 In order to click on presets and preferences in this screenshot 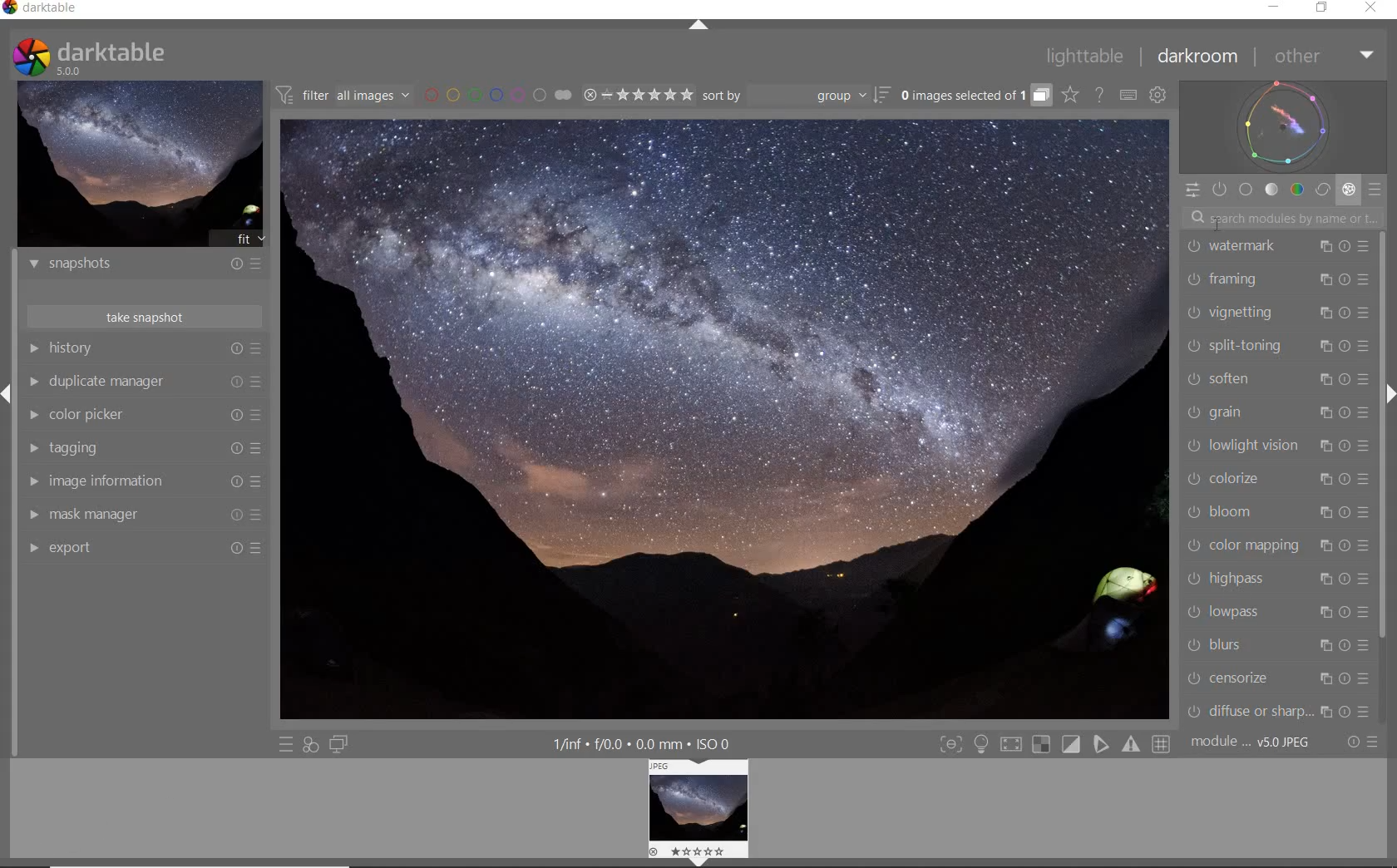, I will do `click(257, 263)`.